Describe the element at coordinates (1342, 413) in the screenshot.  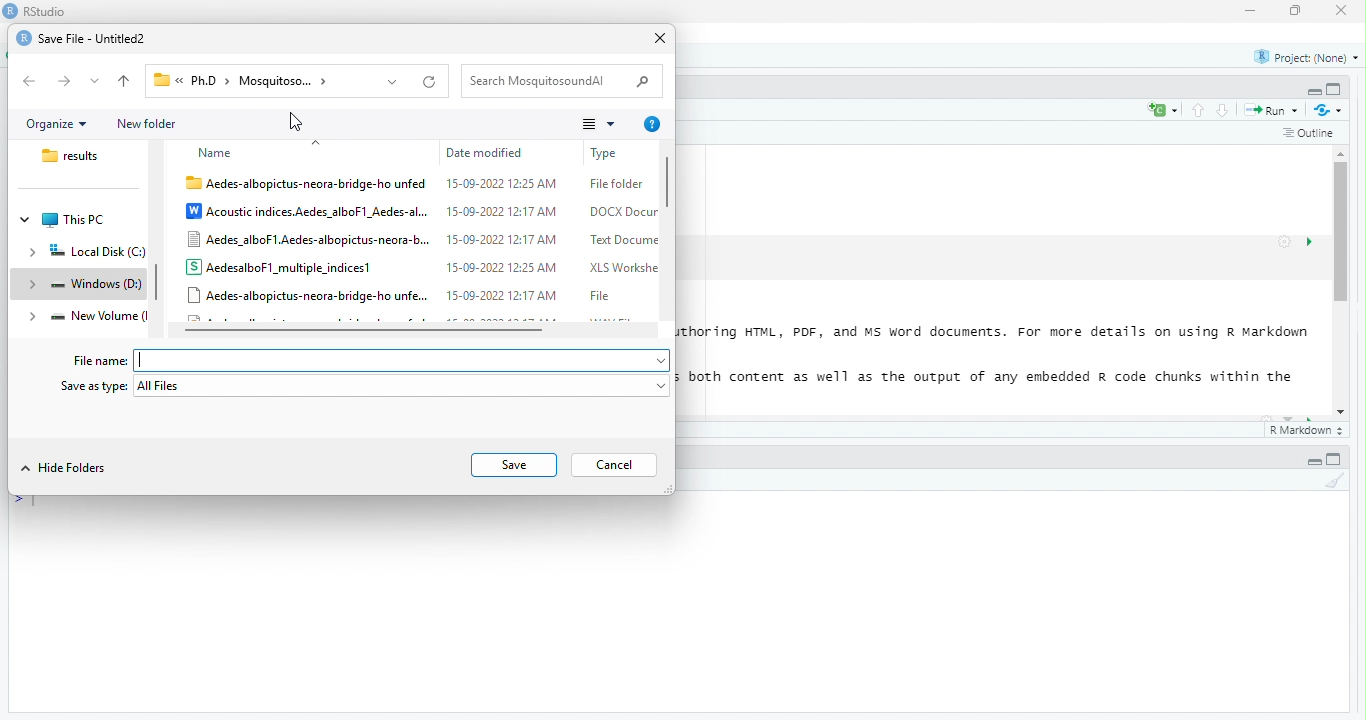
I see `scroll down` at that location.